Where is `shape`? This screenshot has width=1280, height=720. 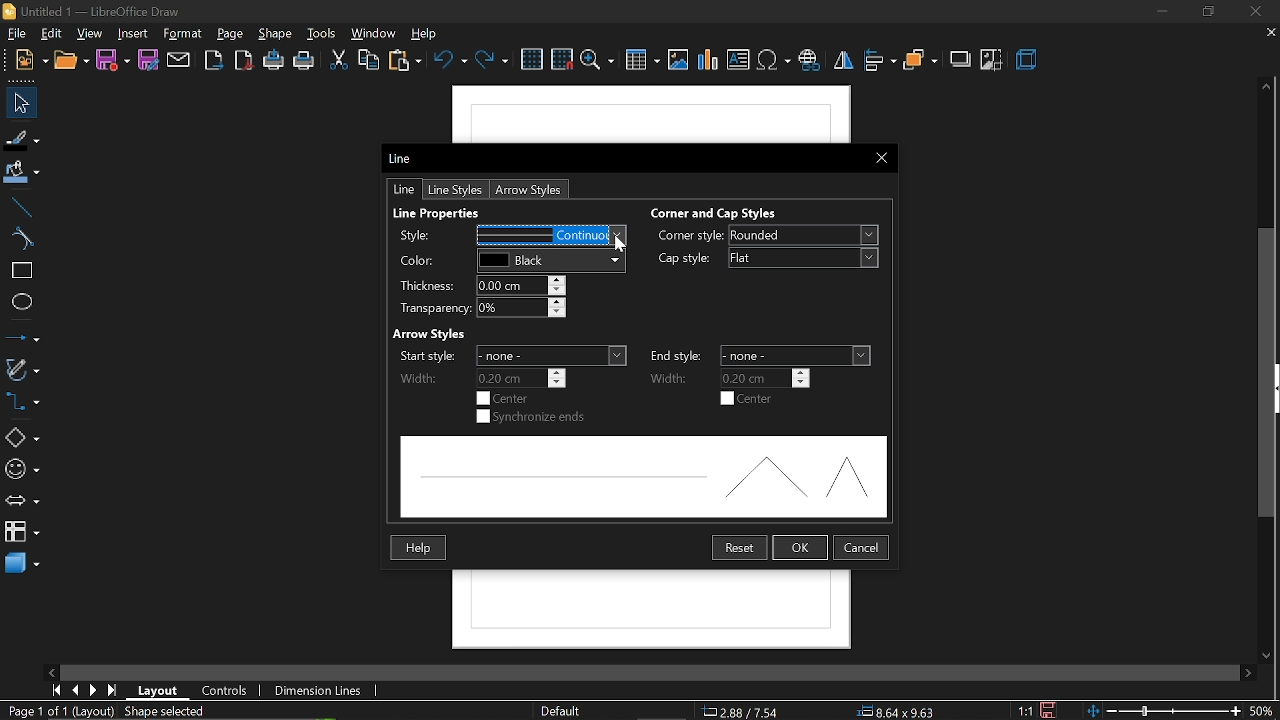
shape is located at coordinates (277, 32).